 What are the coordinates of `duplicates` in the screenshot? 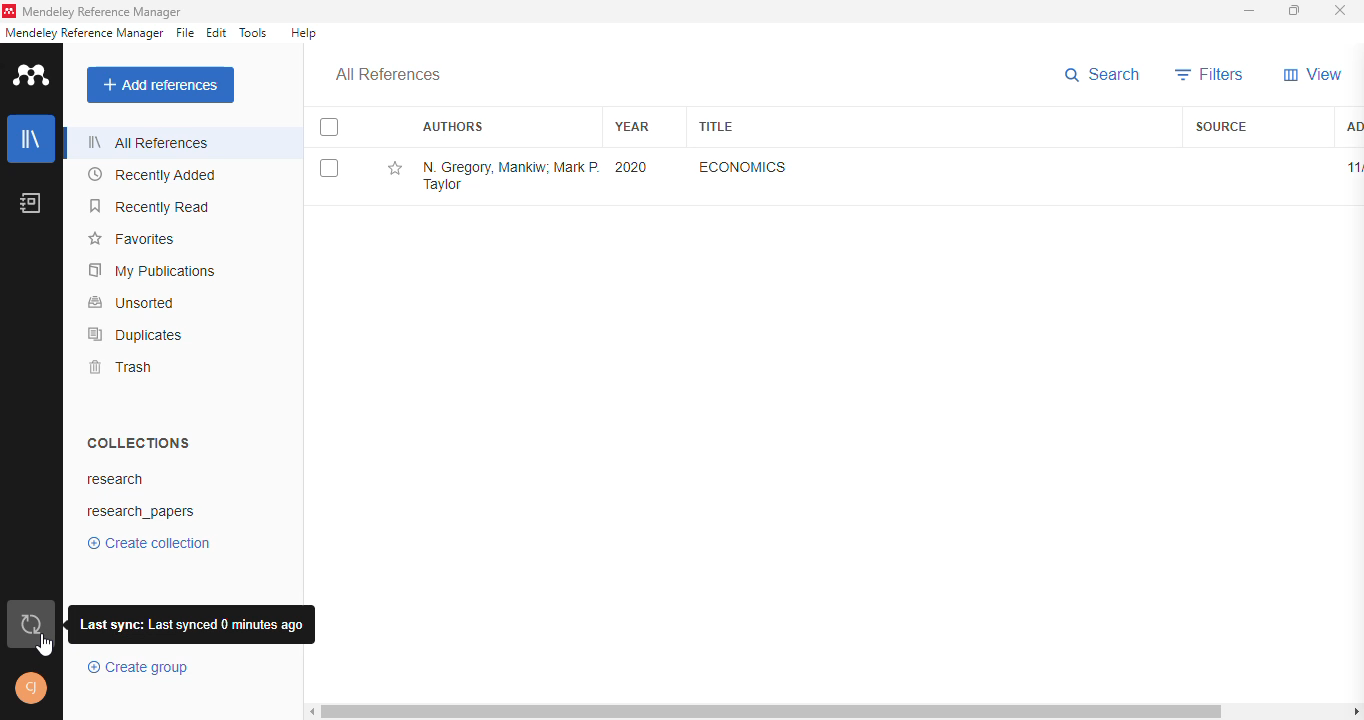 It's located at (135, 335).